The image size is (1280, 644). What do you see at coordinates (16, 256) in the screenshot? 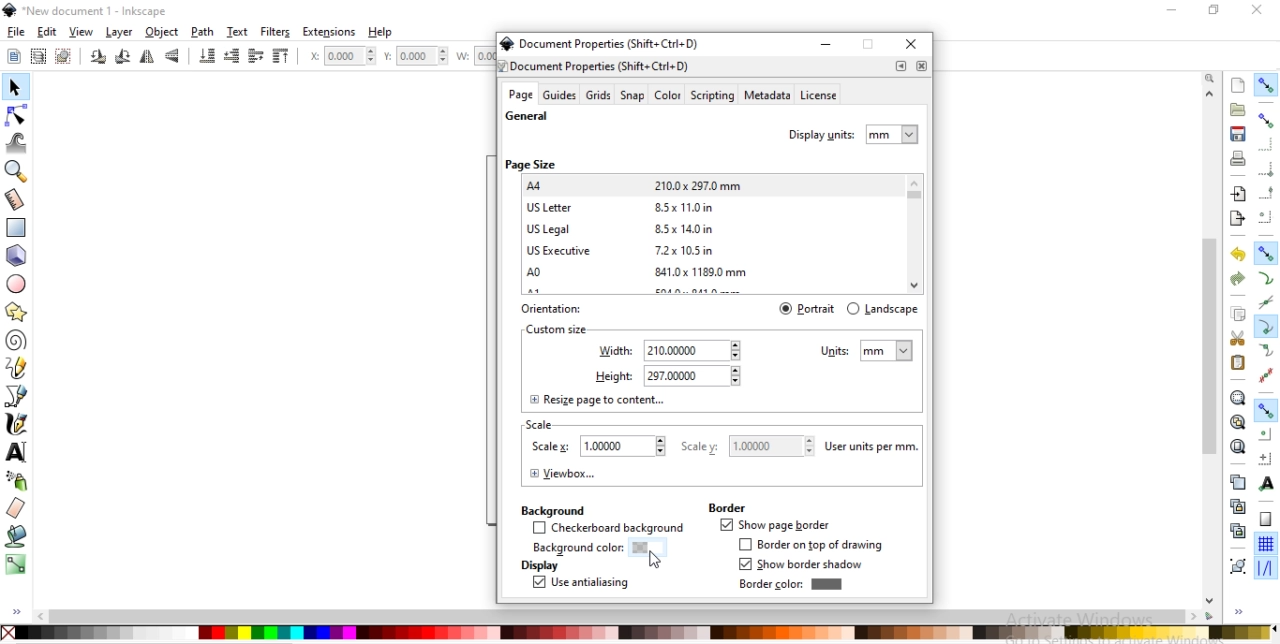
I see `3d boxes` at bounding box center [16, 256].